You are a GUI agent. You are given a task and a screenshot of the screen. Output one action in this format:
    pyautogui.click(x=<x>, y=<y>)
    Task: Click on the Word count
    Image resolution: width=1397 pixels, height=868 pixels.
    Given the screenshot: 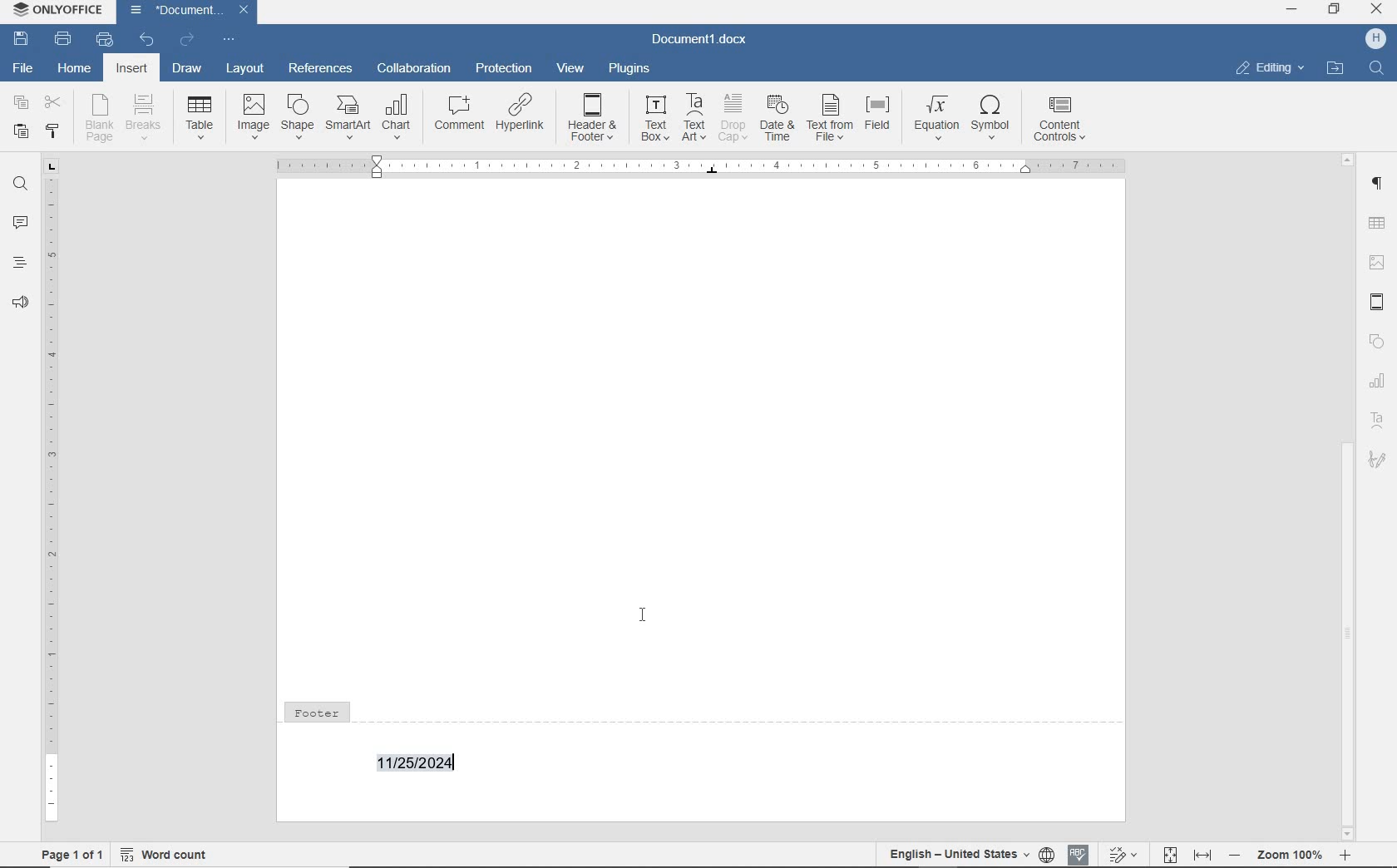 What is the action you would take?
    pyautogui.click(x=166, y=856)
    